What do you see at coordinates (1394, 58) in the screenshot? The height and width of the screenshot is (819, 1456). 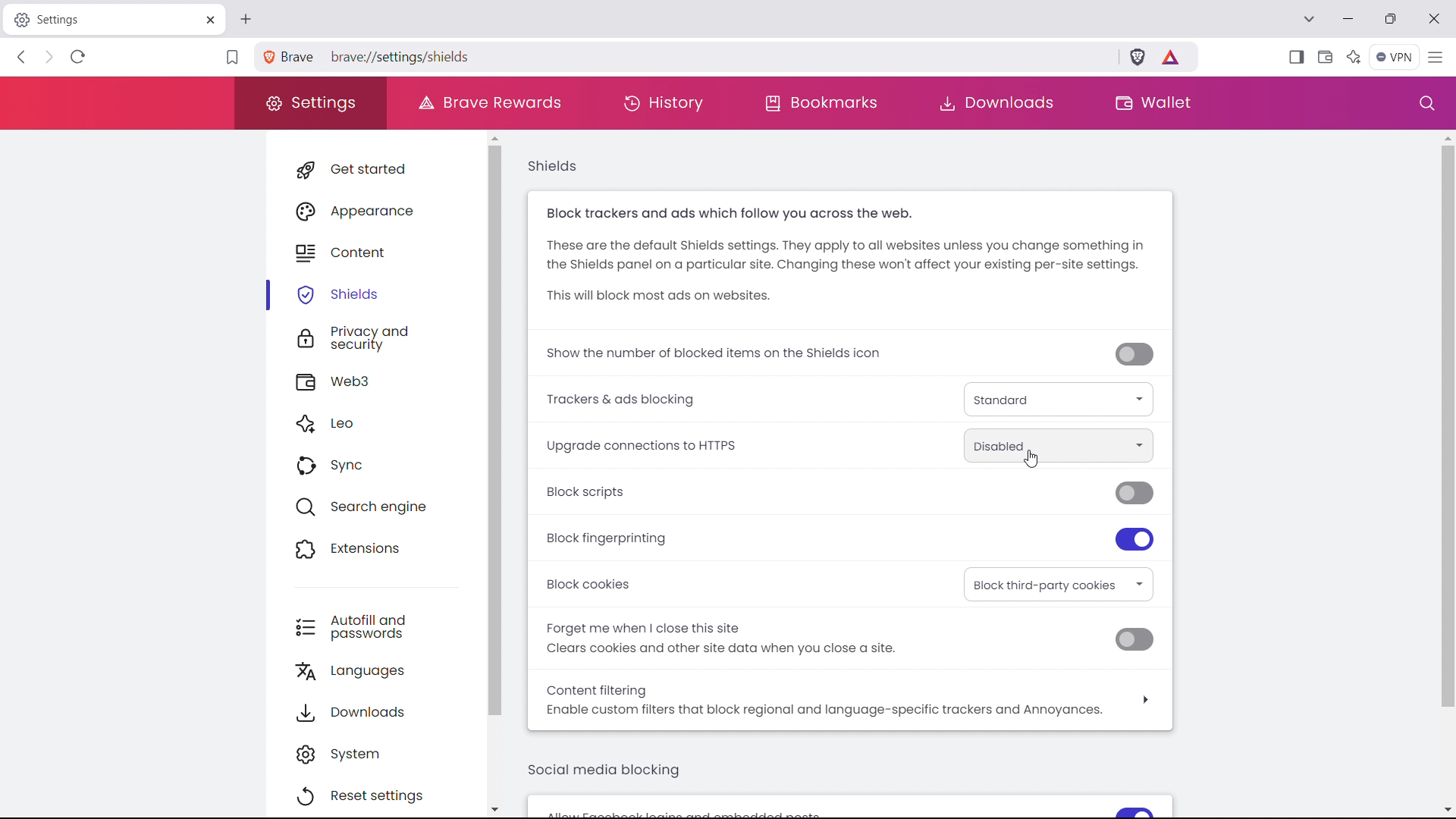 I see `vpn` at bounding box center [1394, 58].